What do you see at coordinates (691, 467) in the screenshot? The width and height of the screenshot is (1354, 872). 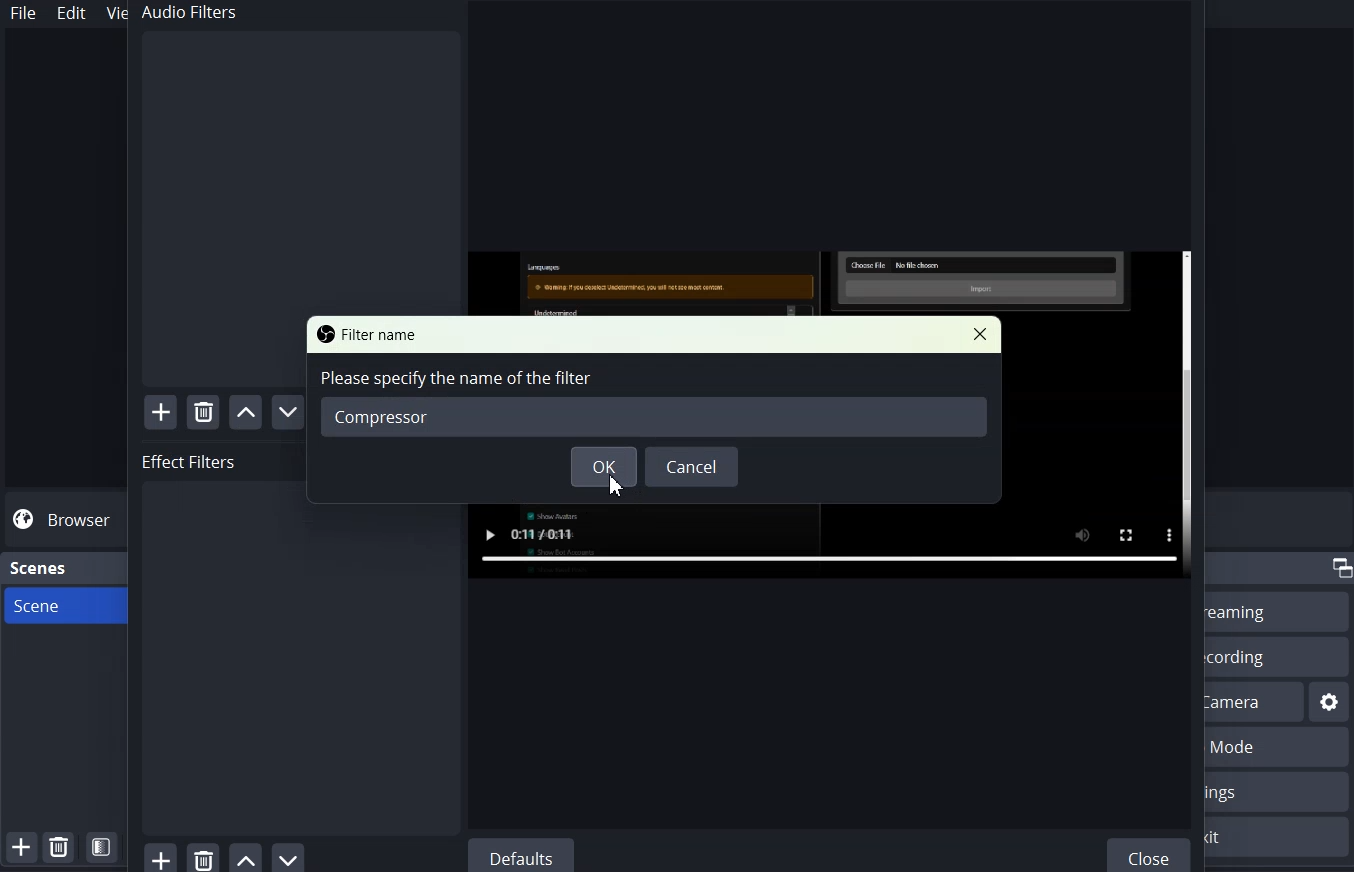 I see `Cancel` at bounding box center [691, 467].